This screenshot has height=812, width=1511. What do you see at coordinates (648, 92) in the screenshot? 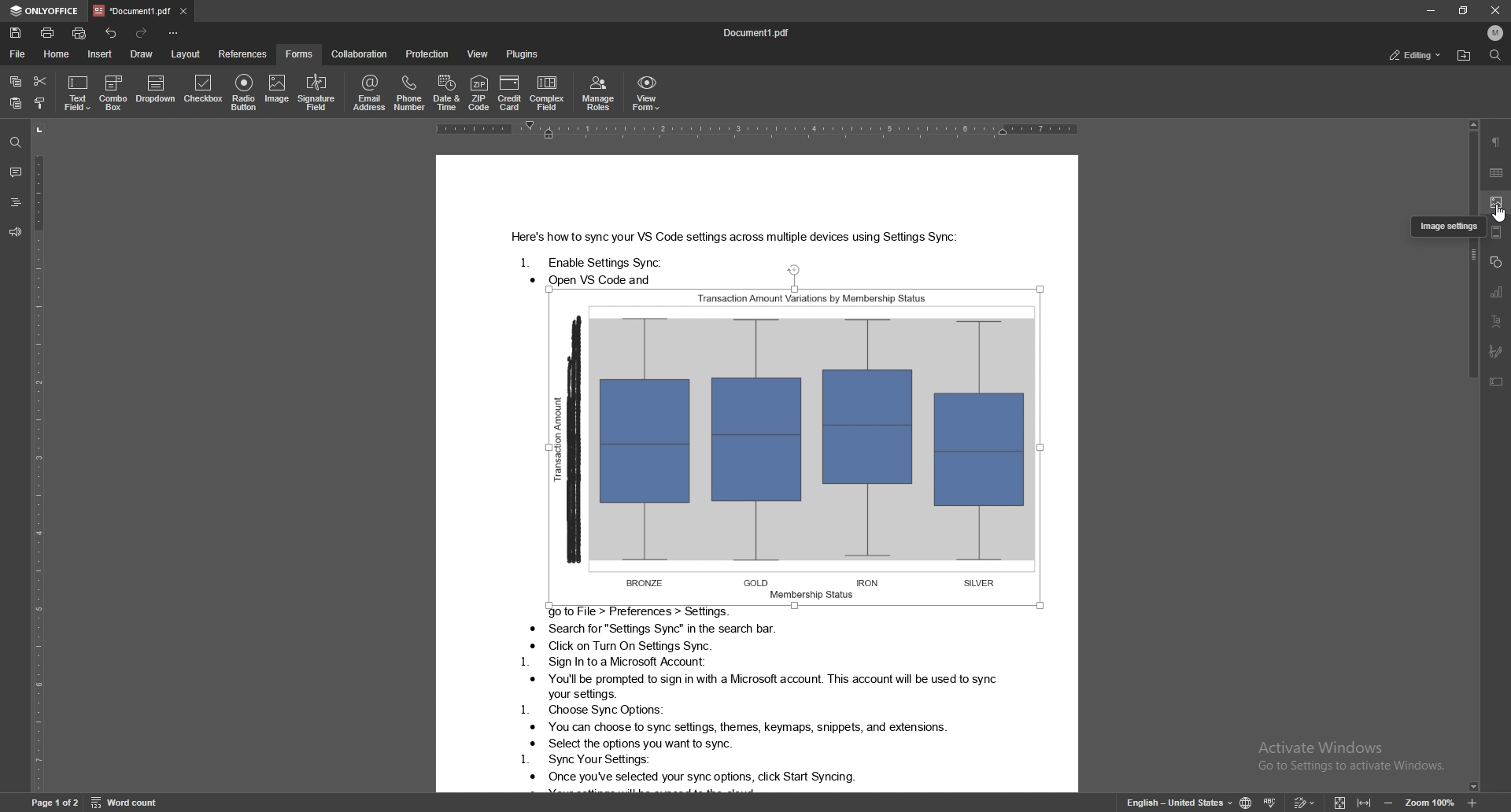
I see `view form` at bounding box center [648, 92].